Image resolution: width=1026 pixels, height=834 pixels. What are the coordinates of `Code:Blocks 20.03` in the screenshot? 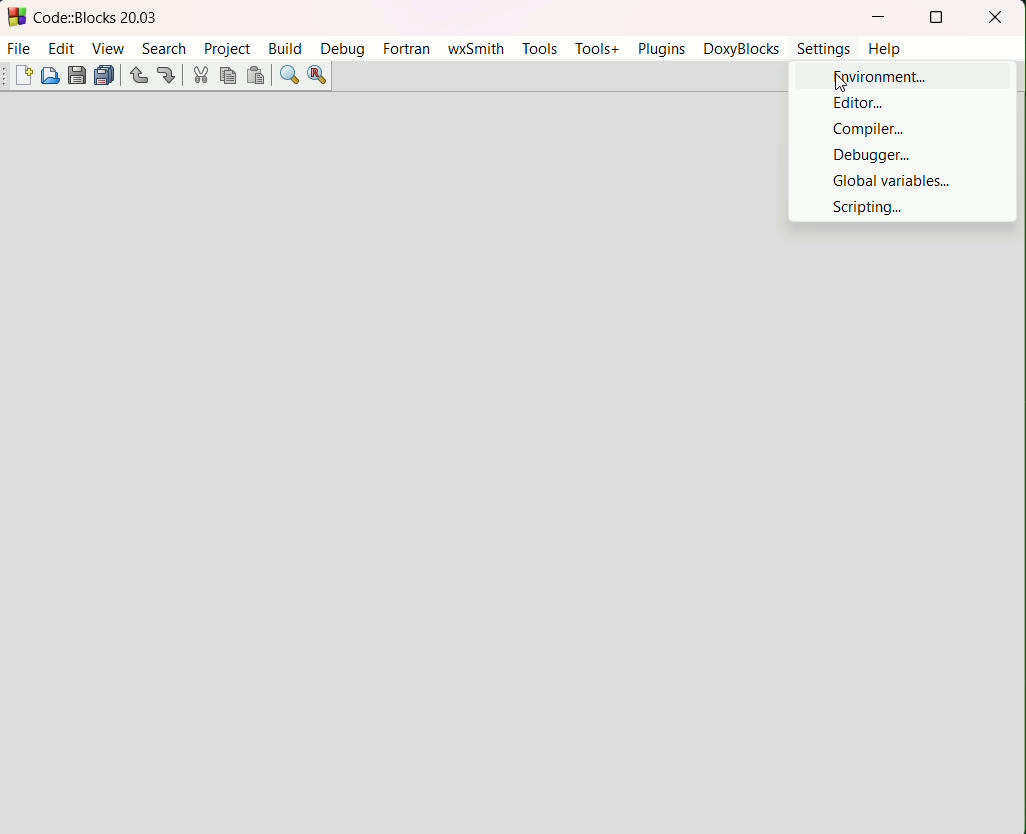 It's located at (96, 18).